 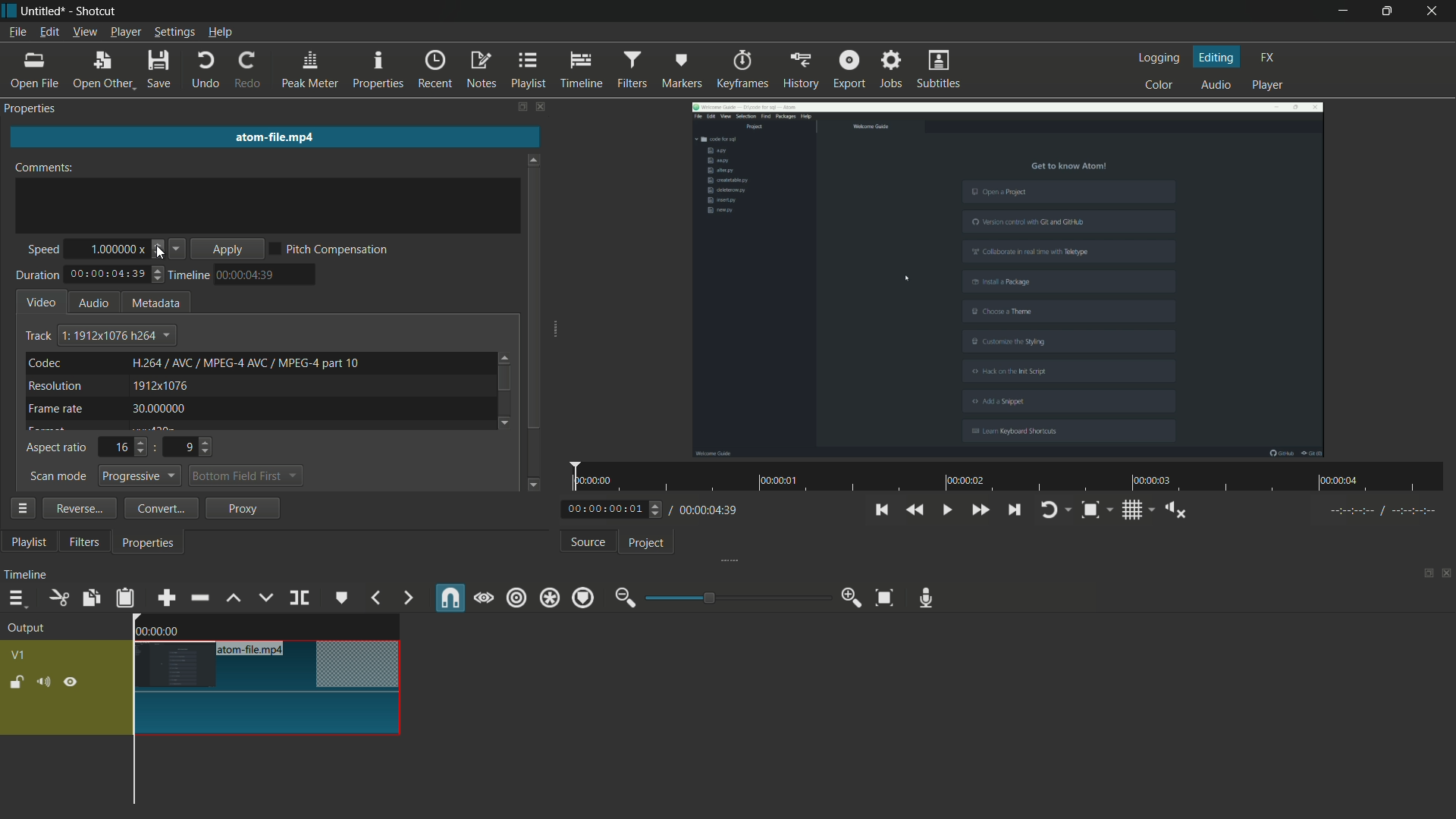 I want to click on ripple delete, so click(x=199, y=598).